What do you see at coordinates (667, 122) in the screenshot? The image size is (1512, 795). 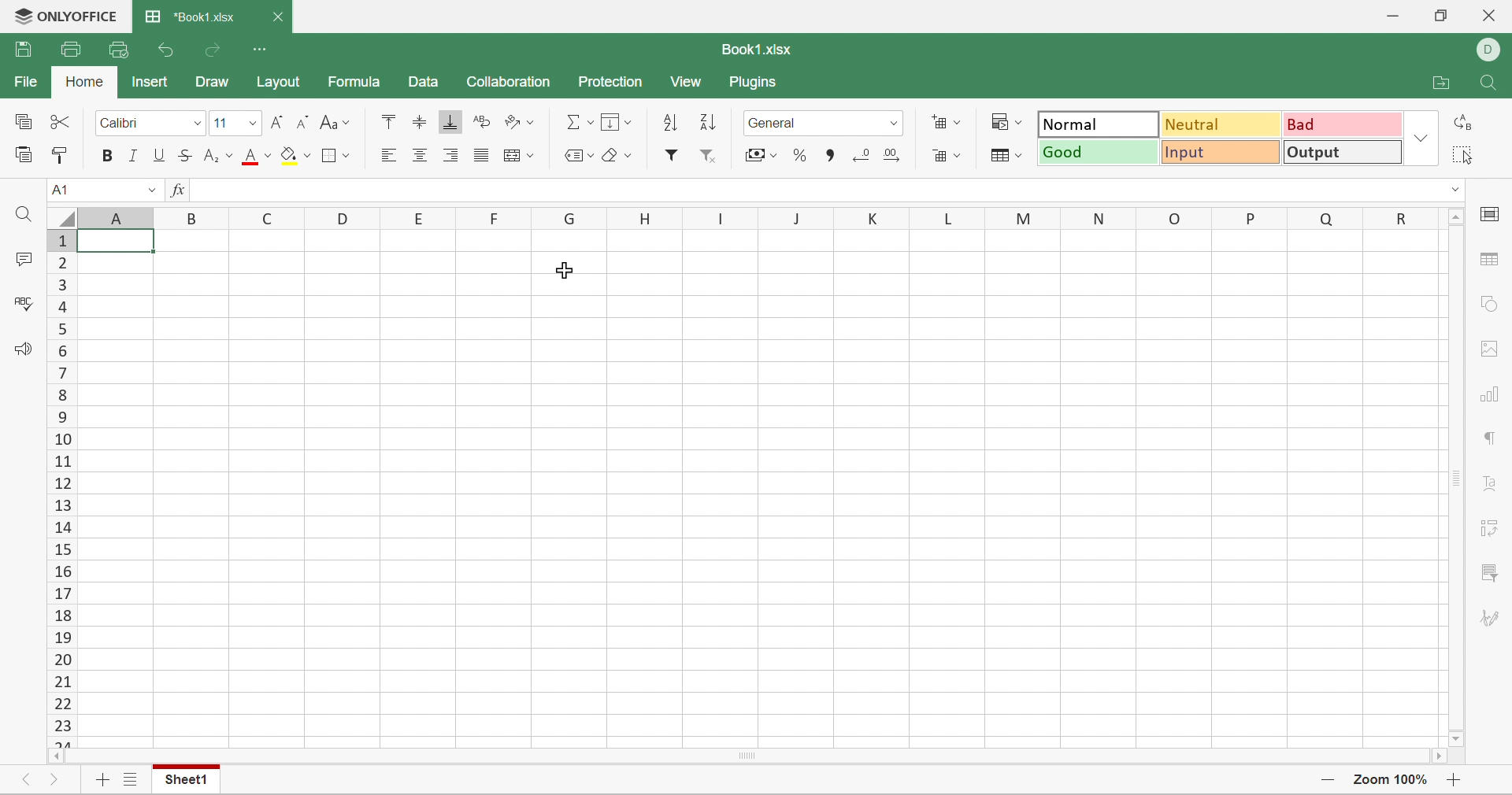 I see `Sort ascending` at bounding box center [667, 122].